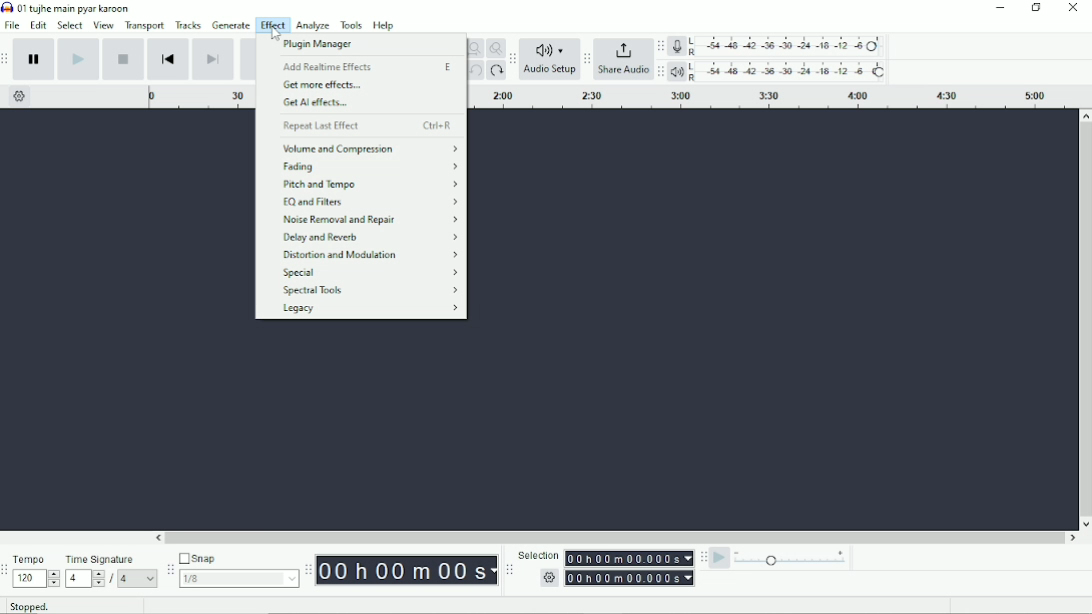 The width and height of the screenshot is (1092, 614). What do you see at coordinates (367, 291) in the screenshot?
I see `Spectral Tools` at bounding box center [367, 291].